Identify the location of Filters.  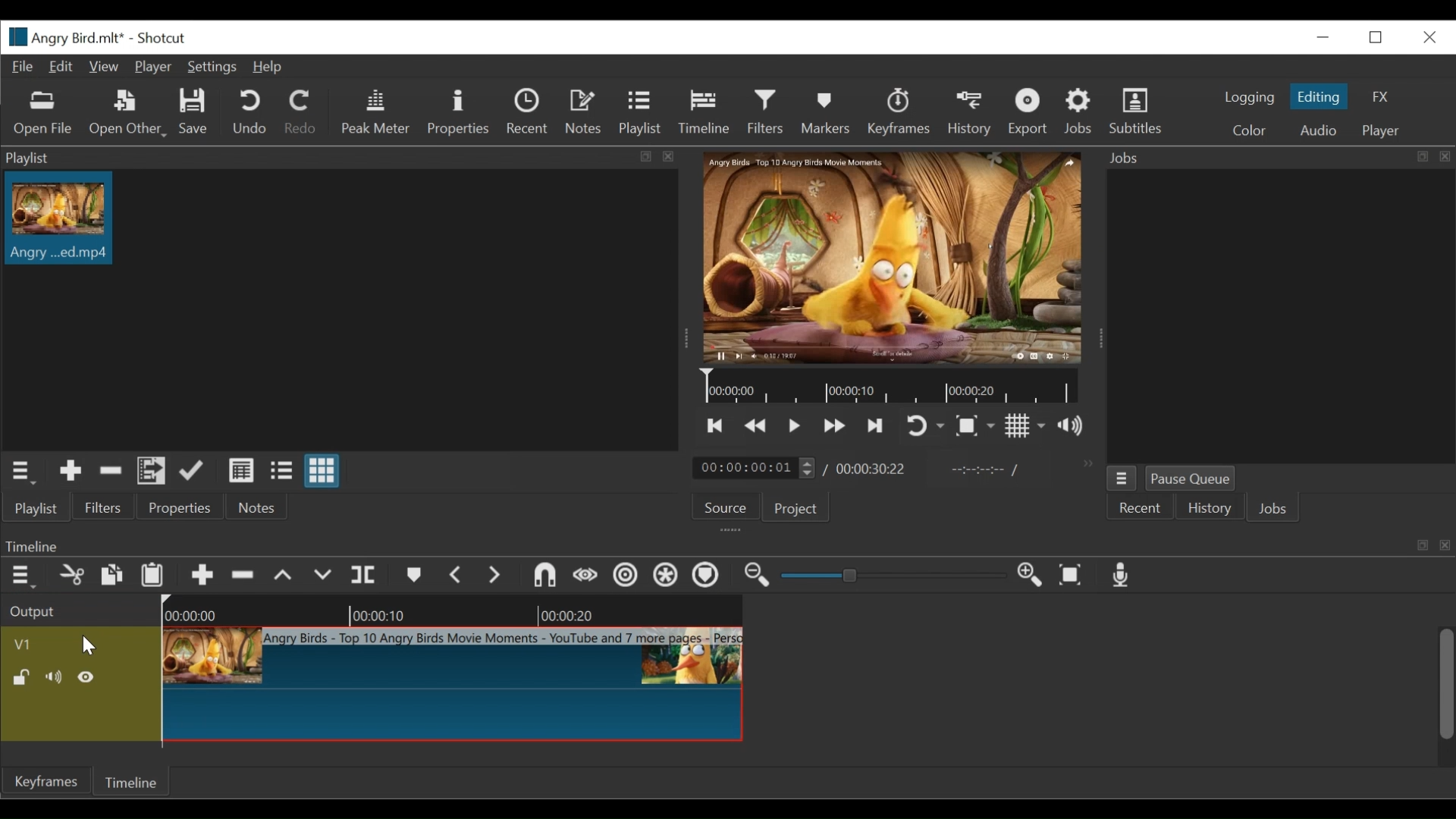
(767, 111).